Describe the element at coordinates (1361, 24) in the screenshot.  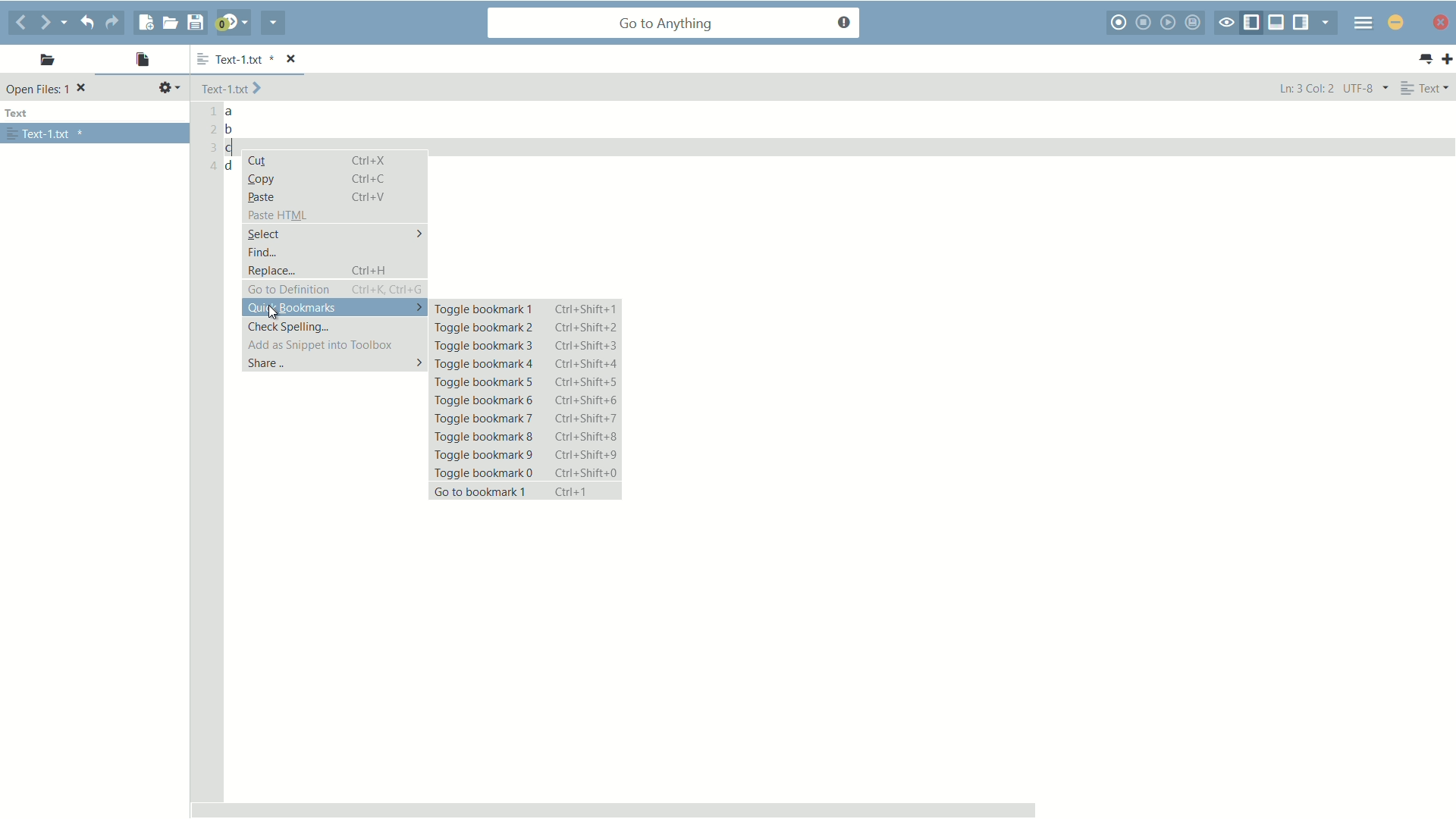
I see `menu` at that location.